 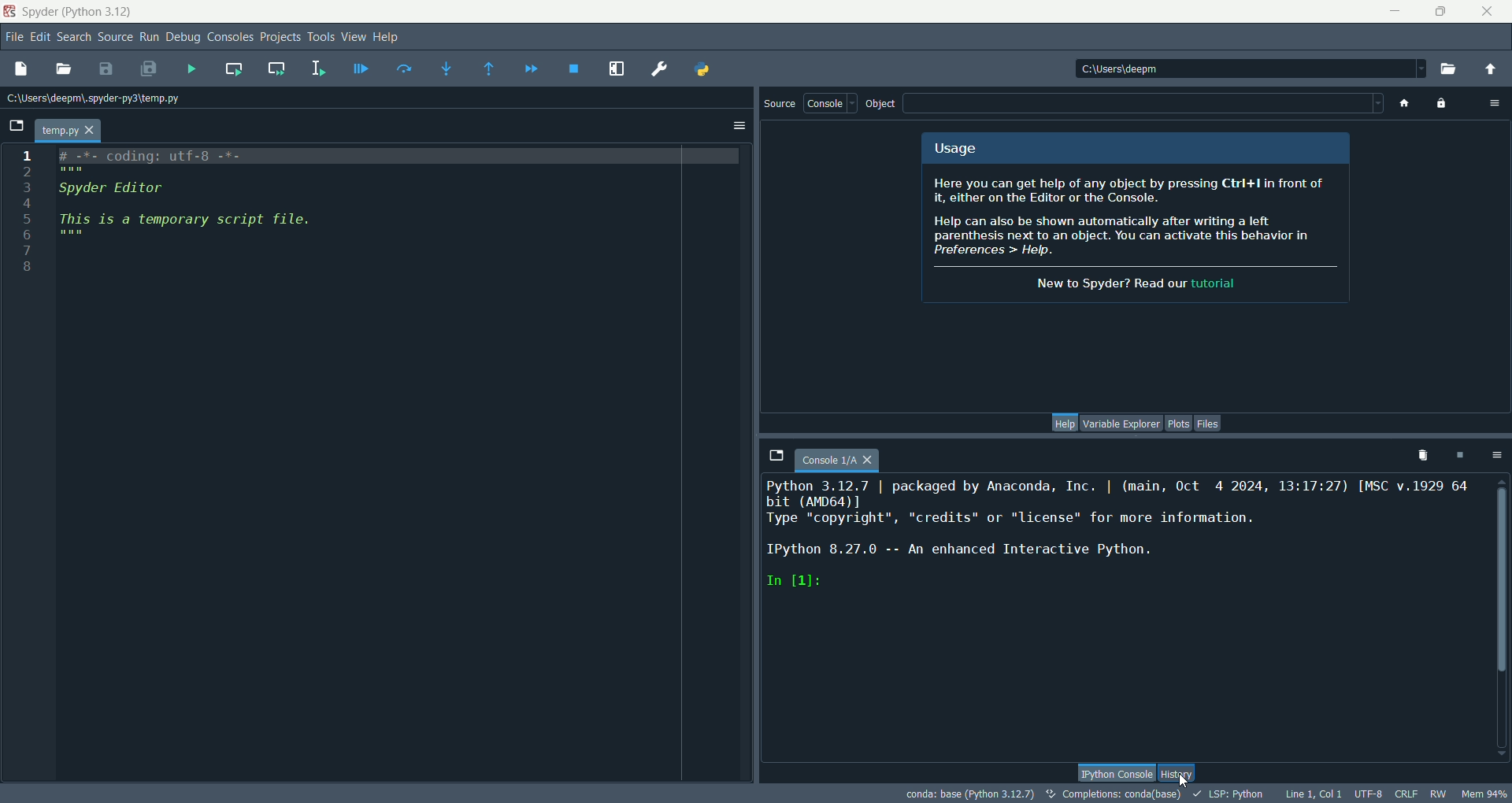 What do you see at coordinates (831, 103) in the screenshot?
I see `console` at bounding box center [831, 103].